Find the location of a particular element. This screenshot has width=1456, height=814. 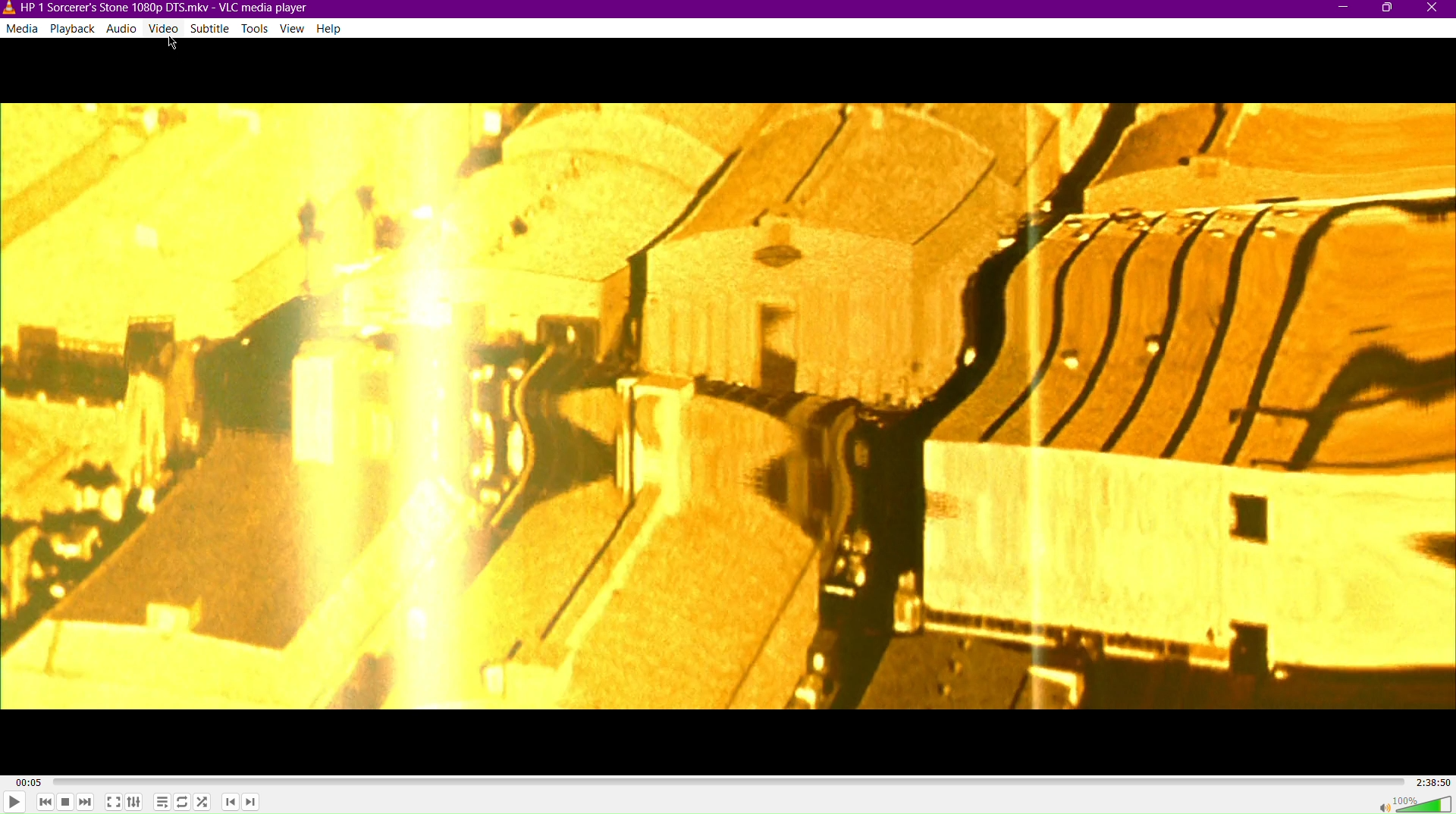

HP1 sorcer's stone 1080 DTS -VLC media player is located at coordinates (154, 8).